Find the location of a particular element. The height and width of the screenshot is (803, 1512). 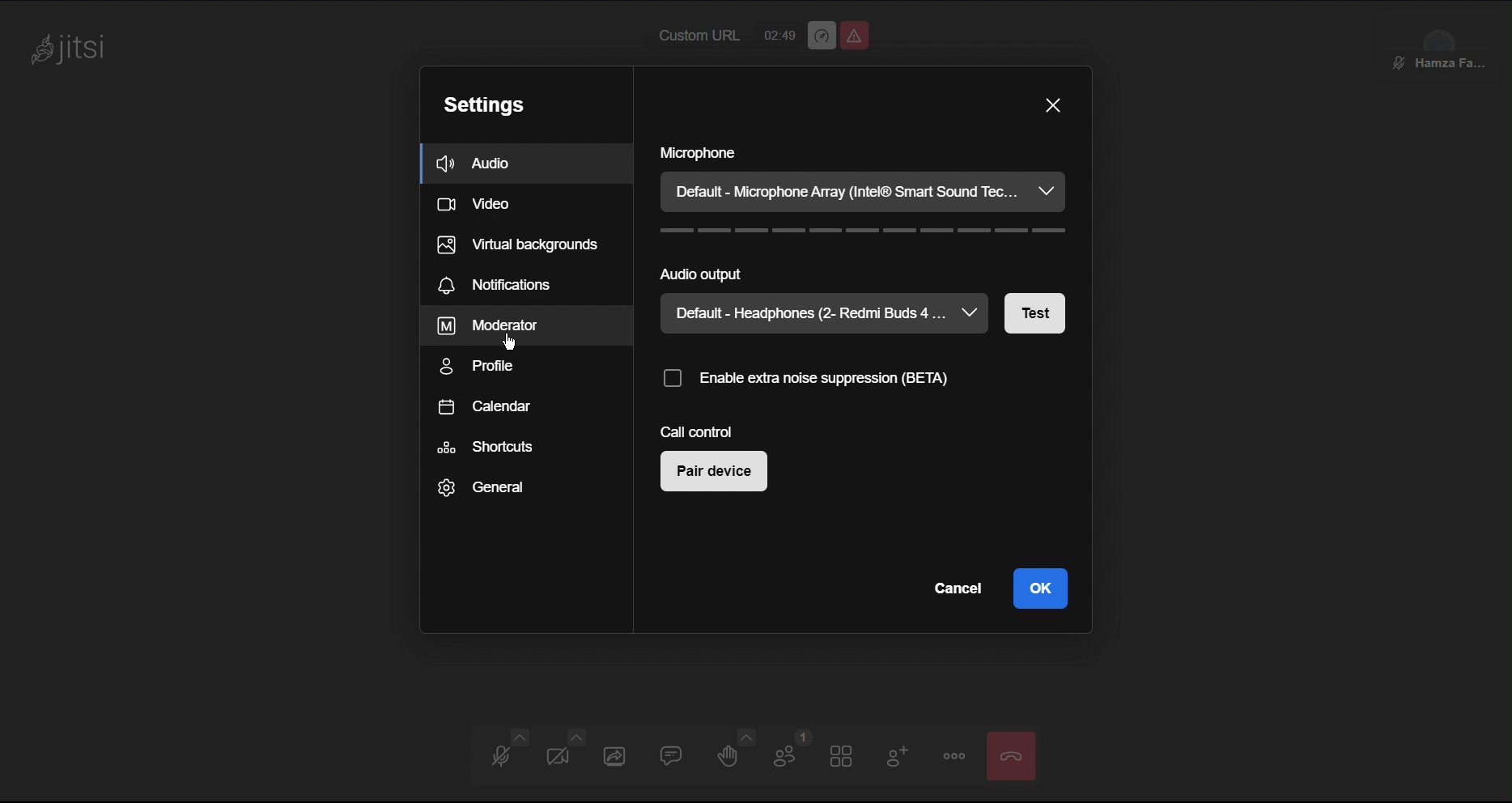

Tile View Toggle is located at coordinates (847, 755).